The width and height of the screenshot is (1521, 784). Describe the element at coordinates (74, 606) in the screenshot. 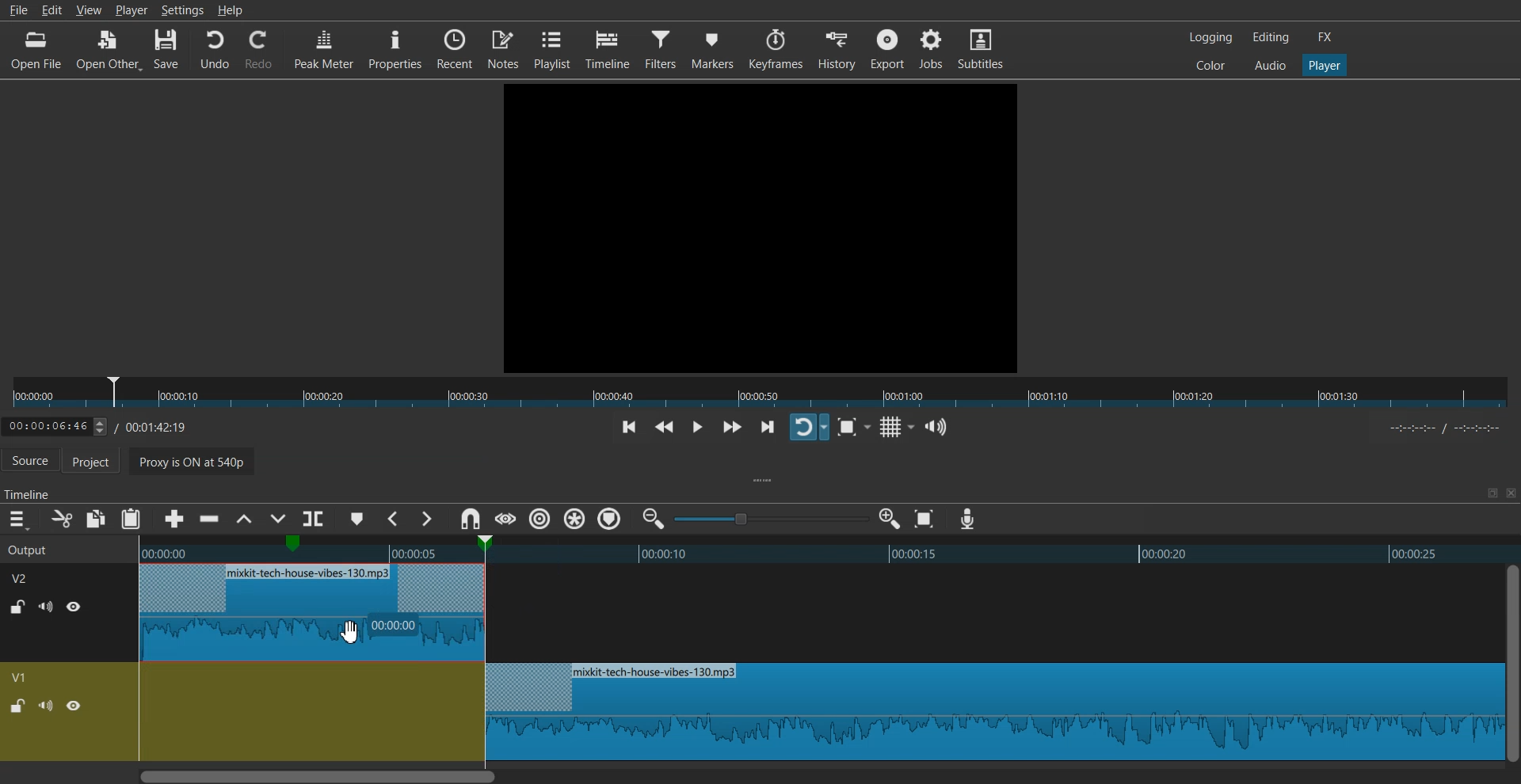

I see `Hide` at that location.